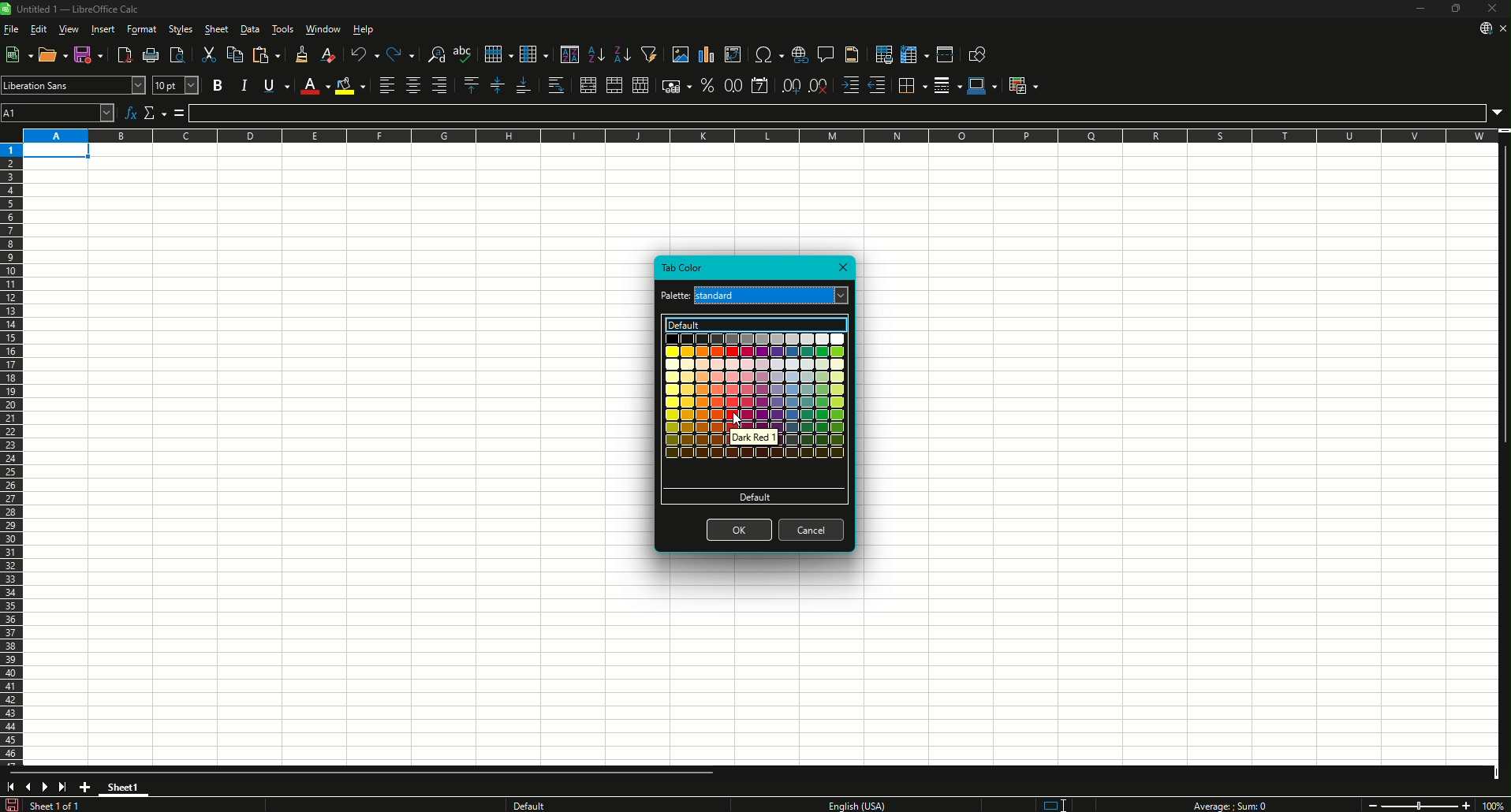 The width and height of the screenshot is (1511, 812). What do you see at coordinates (69, 28) in the screenshot?
I see `View` at bounding box center [69, 28].